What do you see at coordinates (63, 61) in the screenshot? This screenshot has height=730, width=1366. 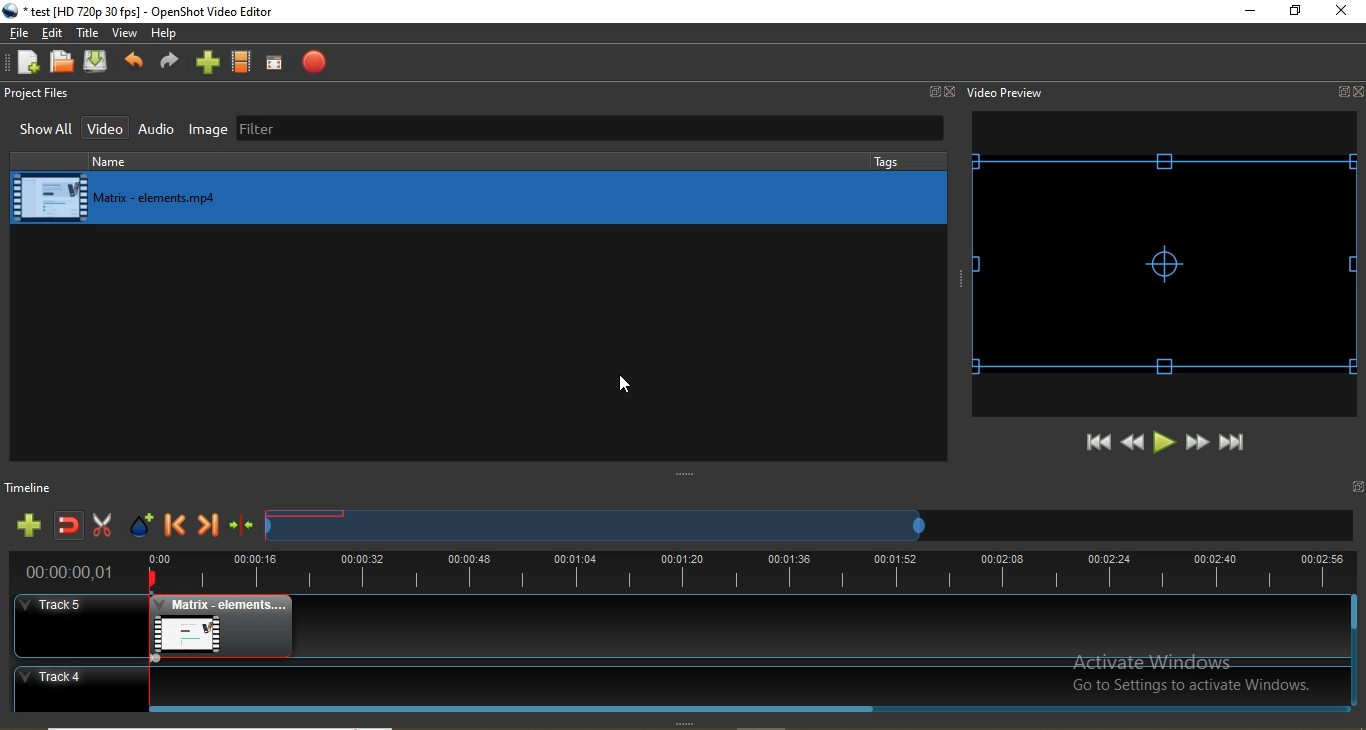 I see `Open project` at bounding box center [63, 61].